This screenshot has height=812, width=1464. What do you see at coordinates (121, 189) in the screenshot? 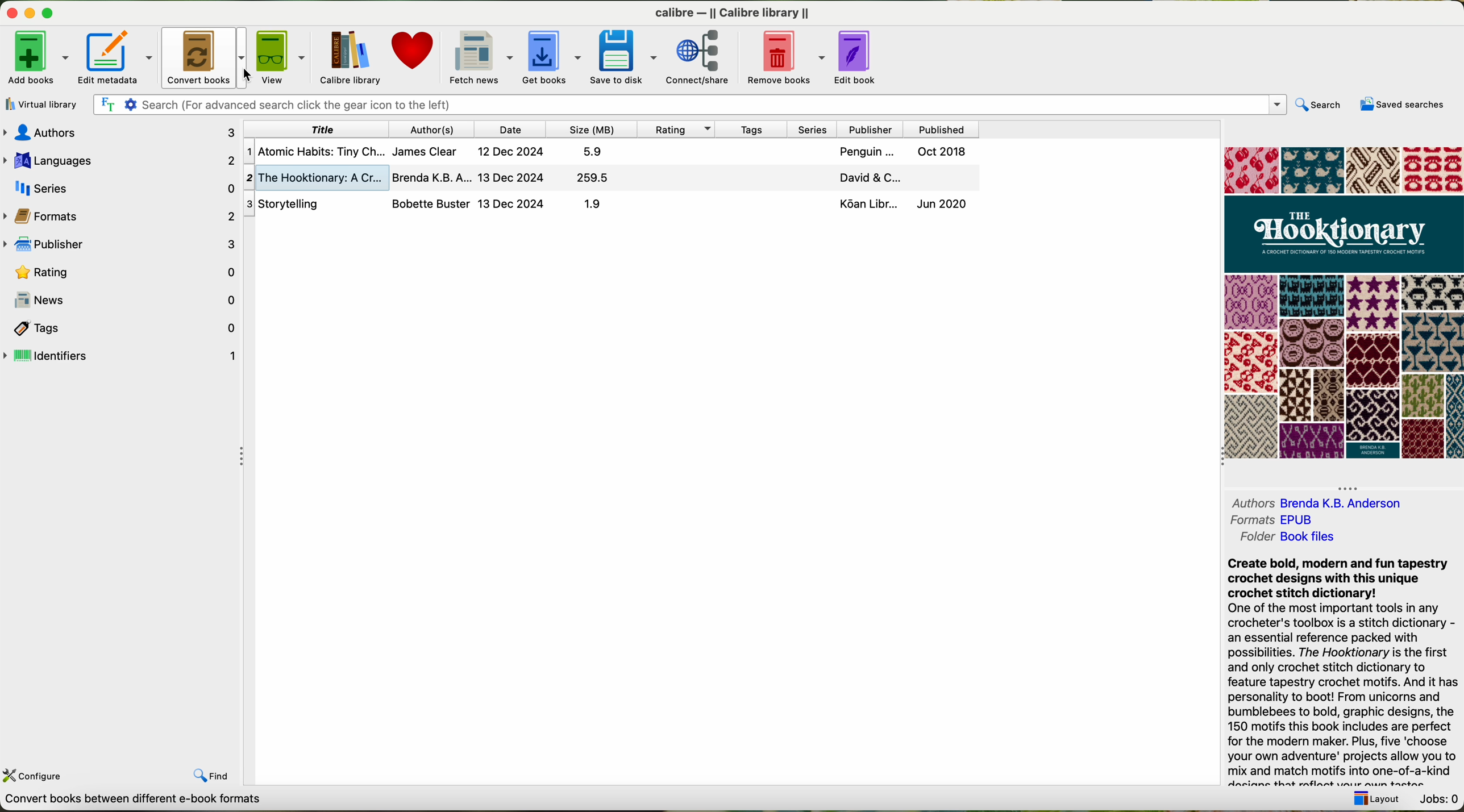
I see `series` at bounding box center [121, 189].